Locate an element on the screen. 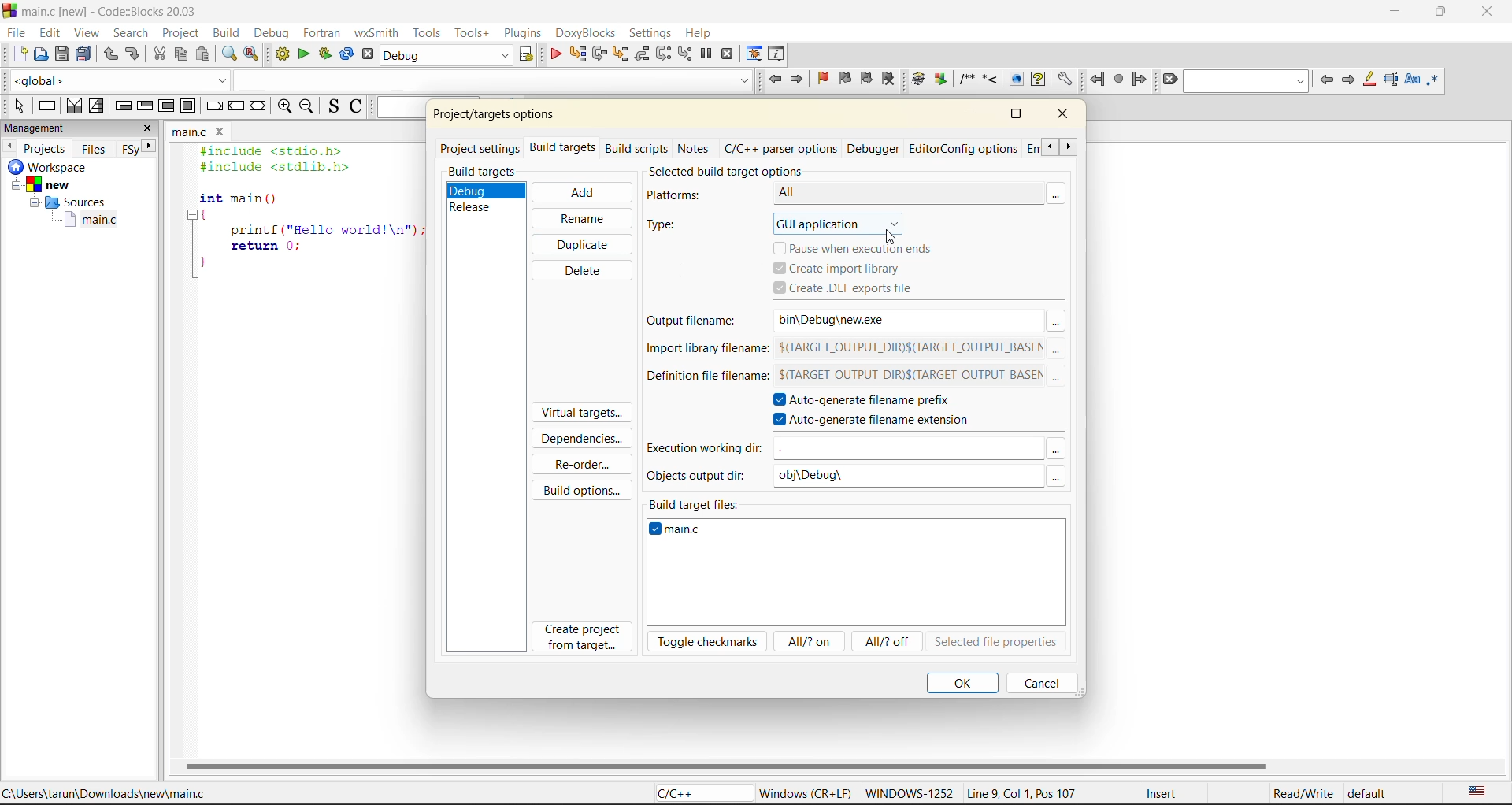  gui application is located at coordinates (854, 222).